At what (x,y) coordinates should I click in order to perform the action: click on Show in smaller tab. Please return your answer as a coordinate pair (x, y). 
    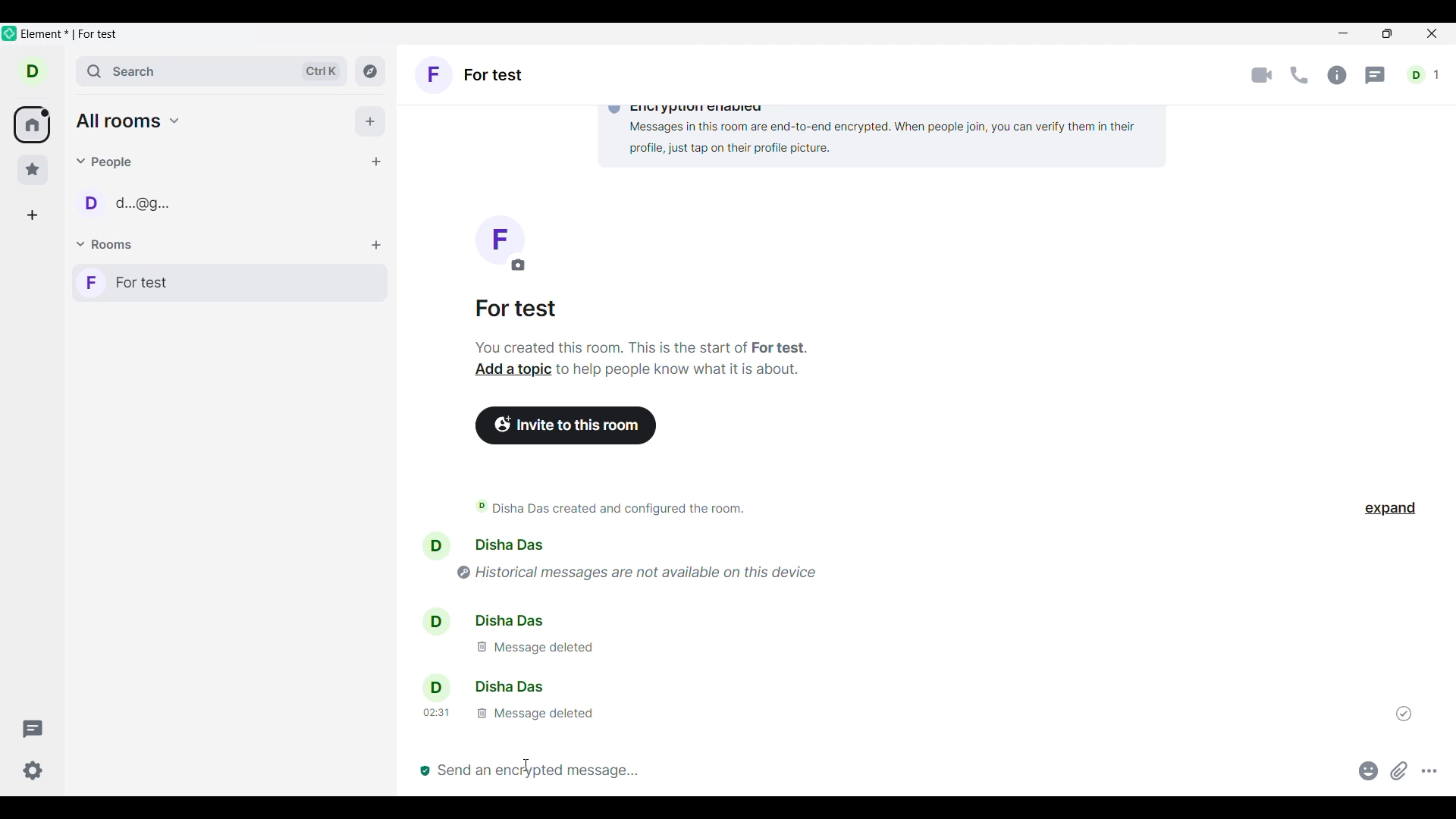
    Looking at the image, I should click on (1387, 33).